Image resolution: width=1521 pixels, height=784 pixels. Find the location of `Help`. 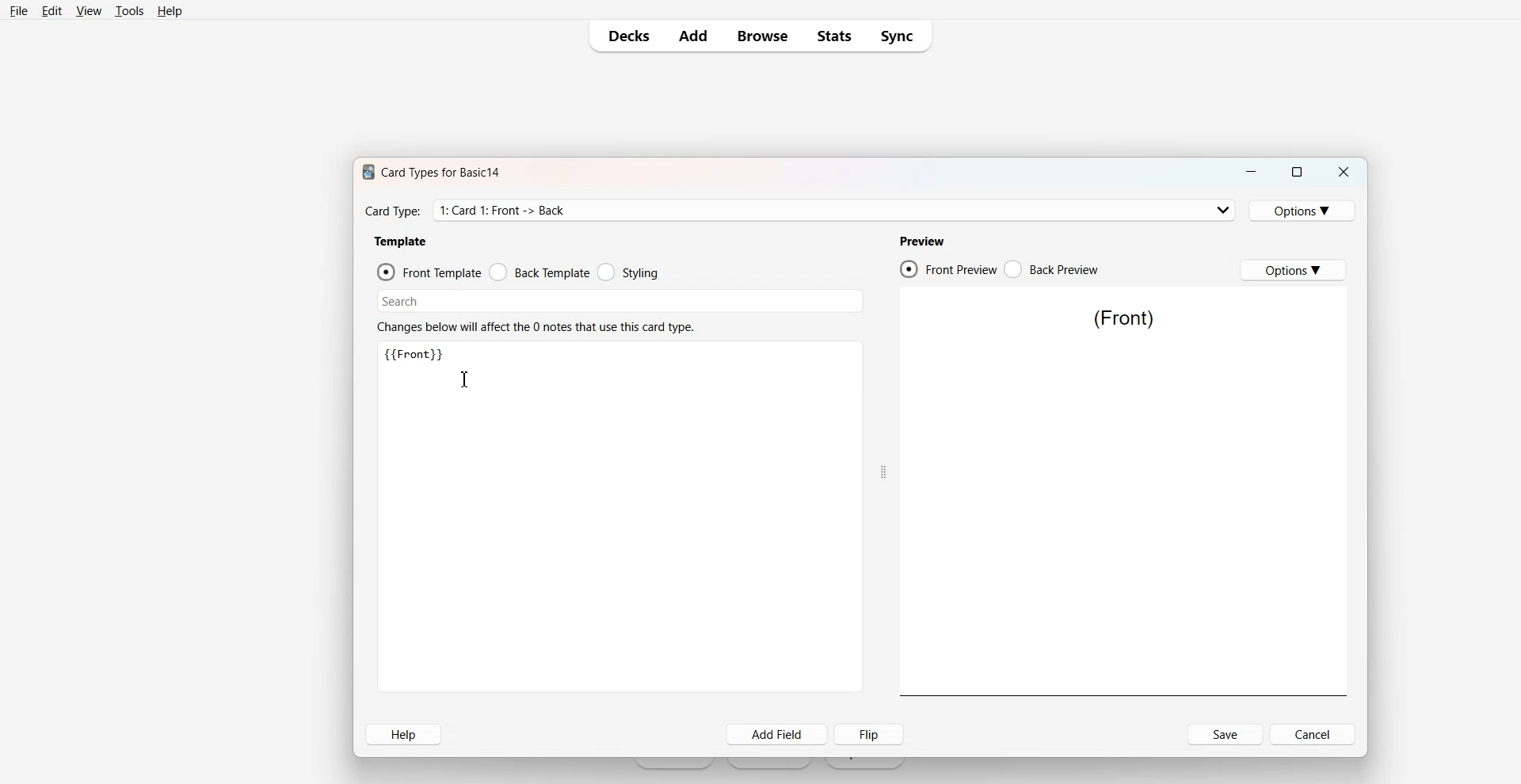

Help is located at coordinates (404, 734).